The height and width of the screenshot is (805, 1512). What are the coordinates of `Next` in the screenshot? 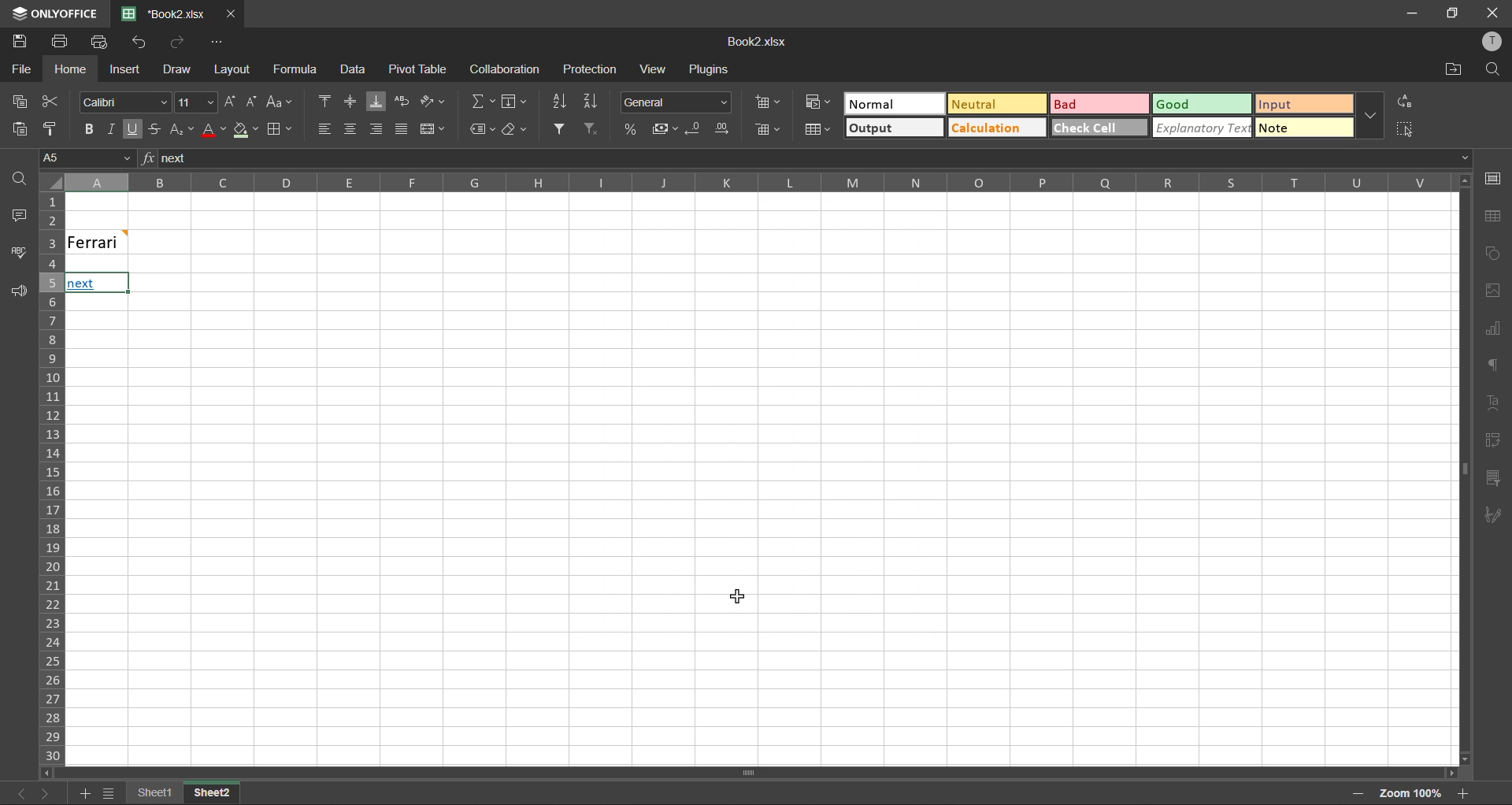 It's located at (80, 284).